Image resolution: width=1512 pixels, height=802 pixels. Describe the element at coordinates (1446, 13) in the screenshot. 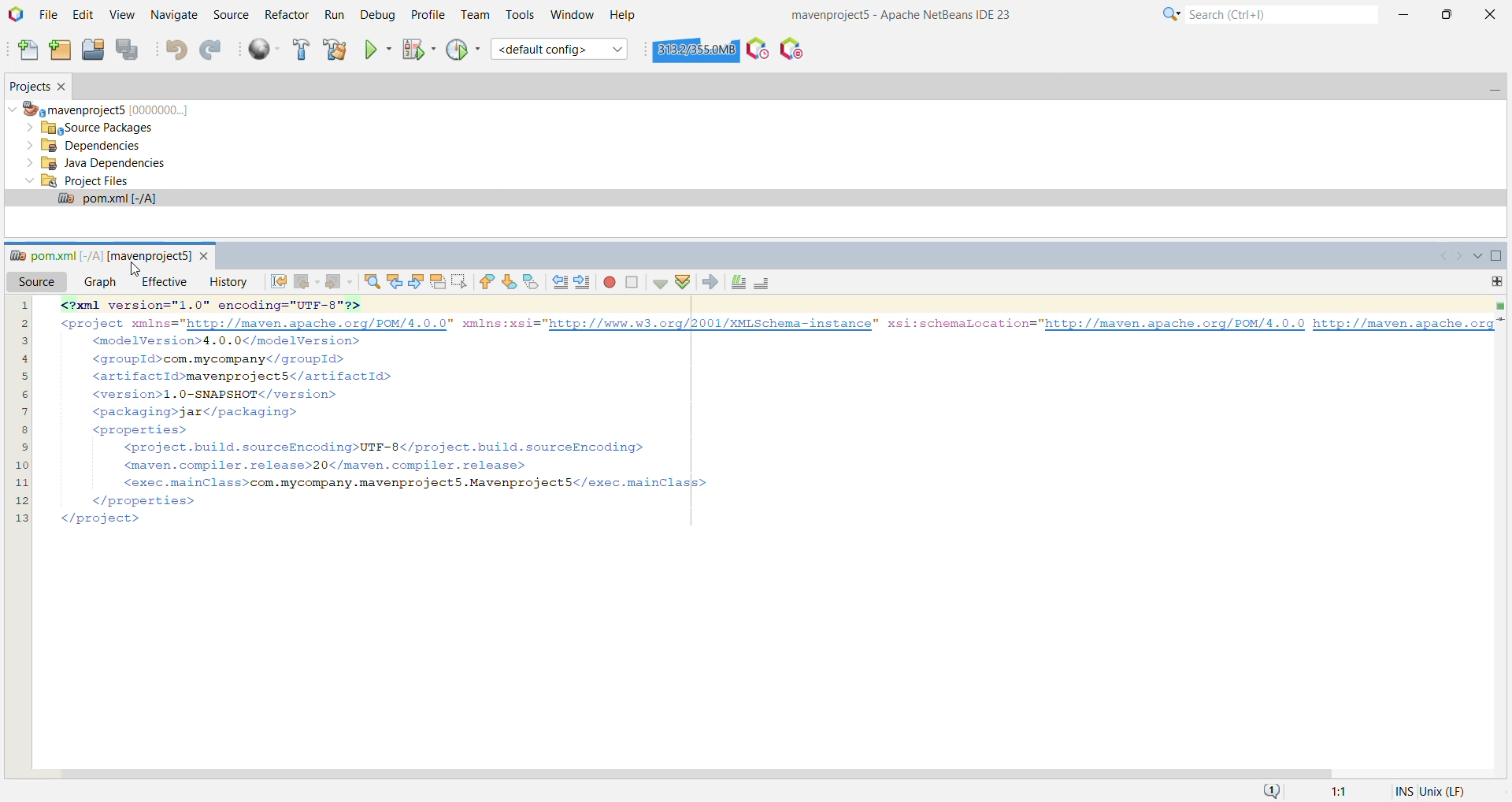

I see `Restore Down` at that location.